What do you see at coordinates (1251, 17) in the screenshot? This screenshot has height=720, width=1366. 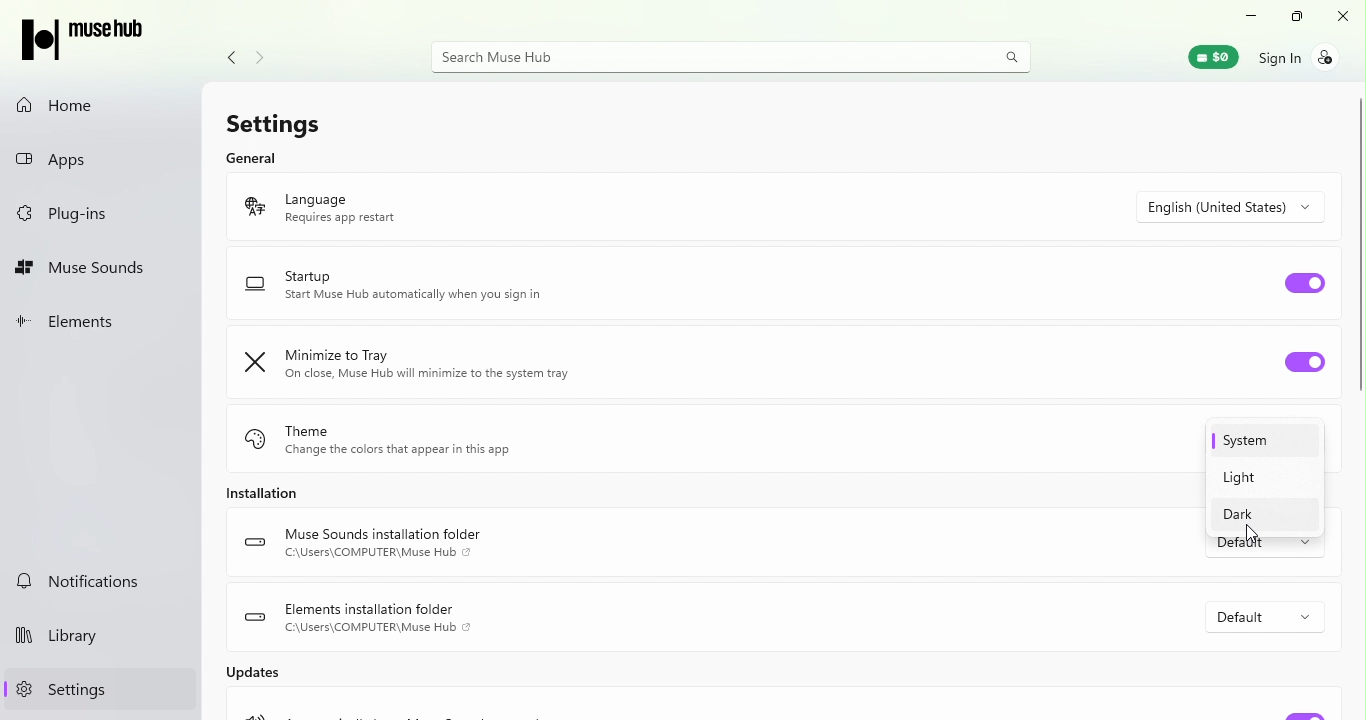 I see `Minimise` at bounding box center [1251, 17].